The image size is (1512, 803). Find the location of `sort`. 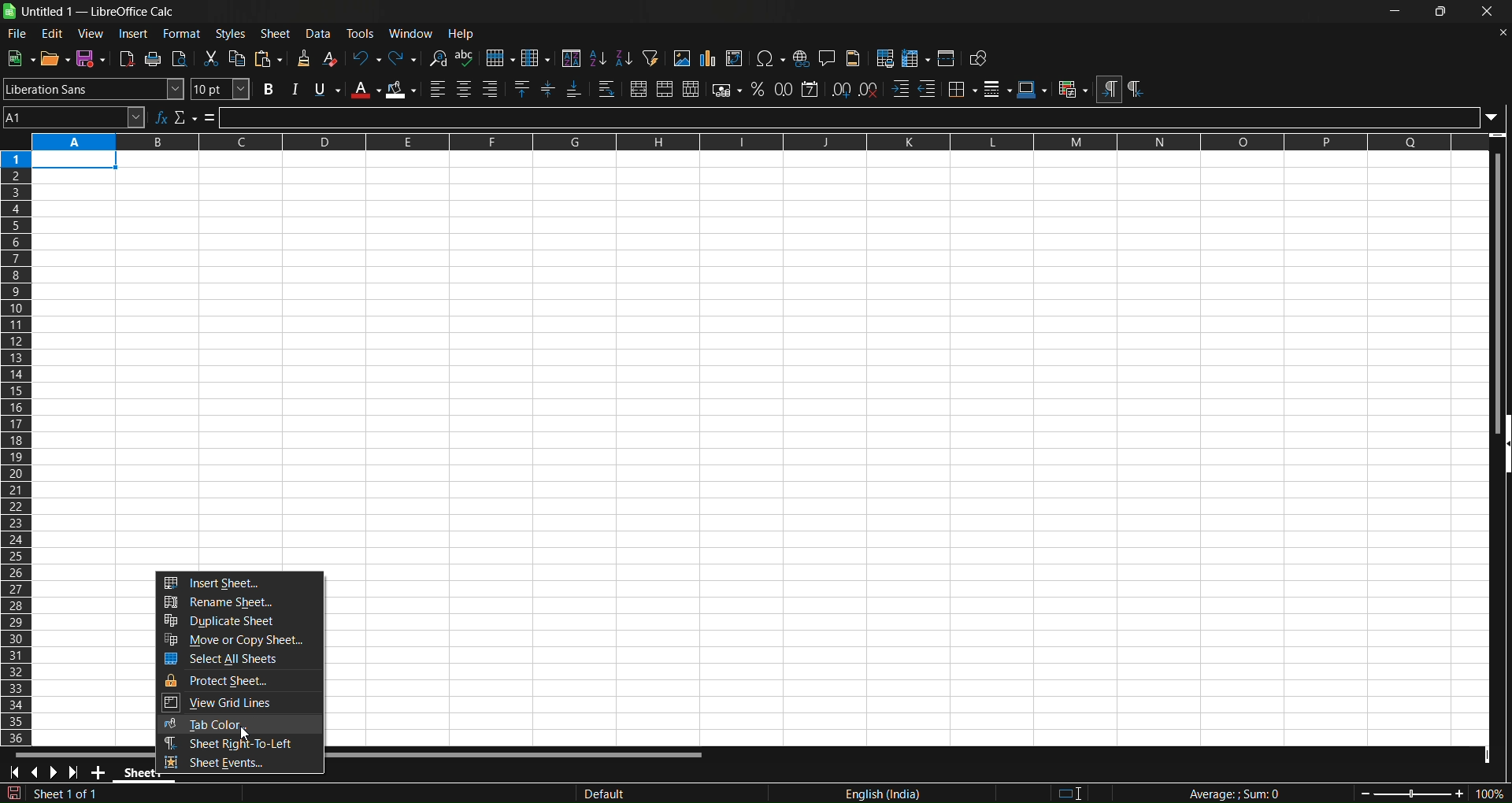

sort is located at coordinates (570, 57).